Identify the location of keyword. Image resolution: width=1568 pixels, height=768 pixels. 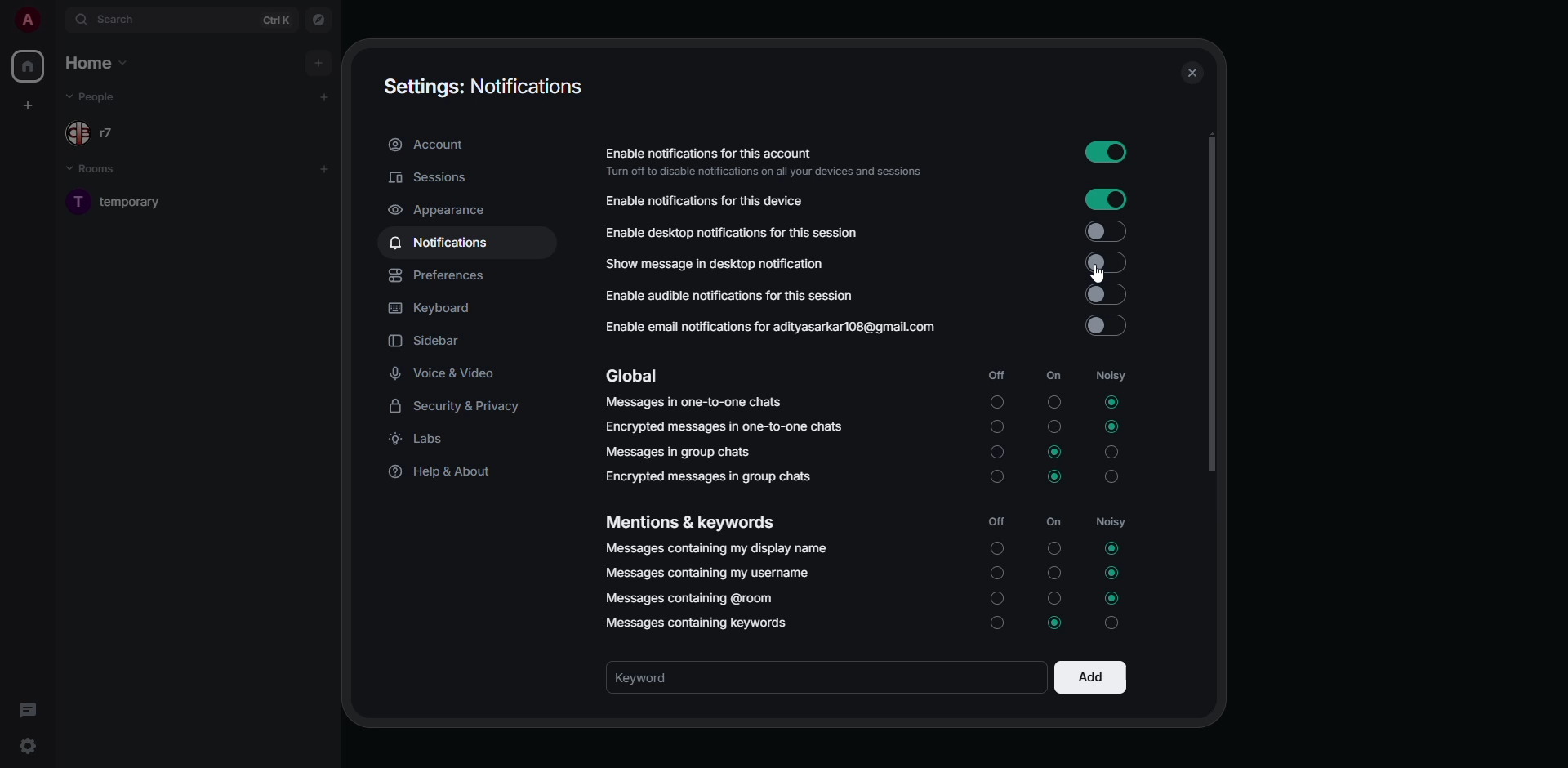
(657, 676).